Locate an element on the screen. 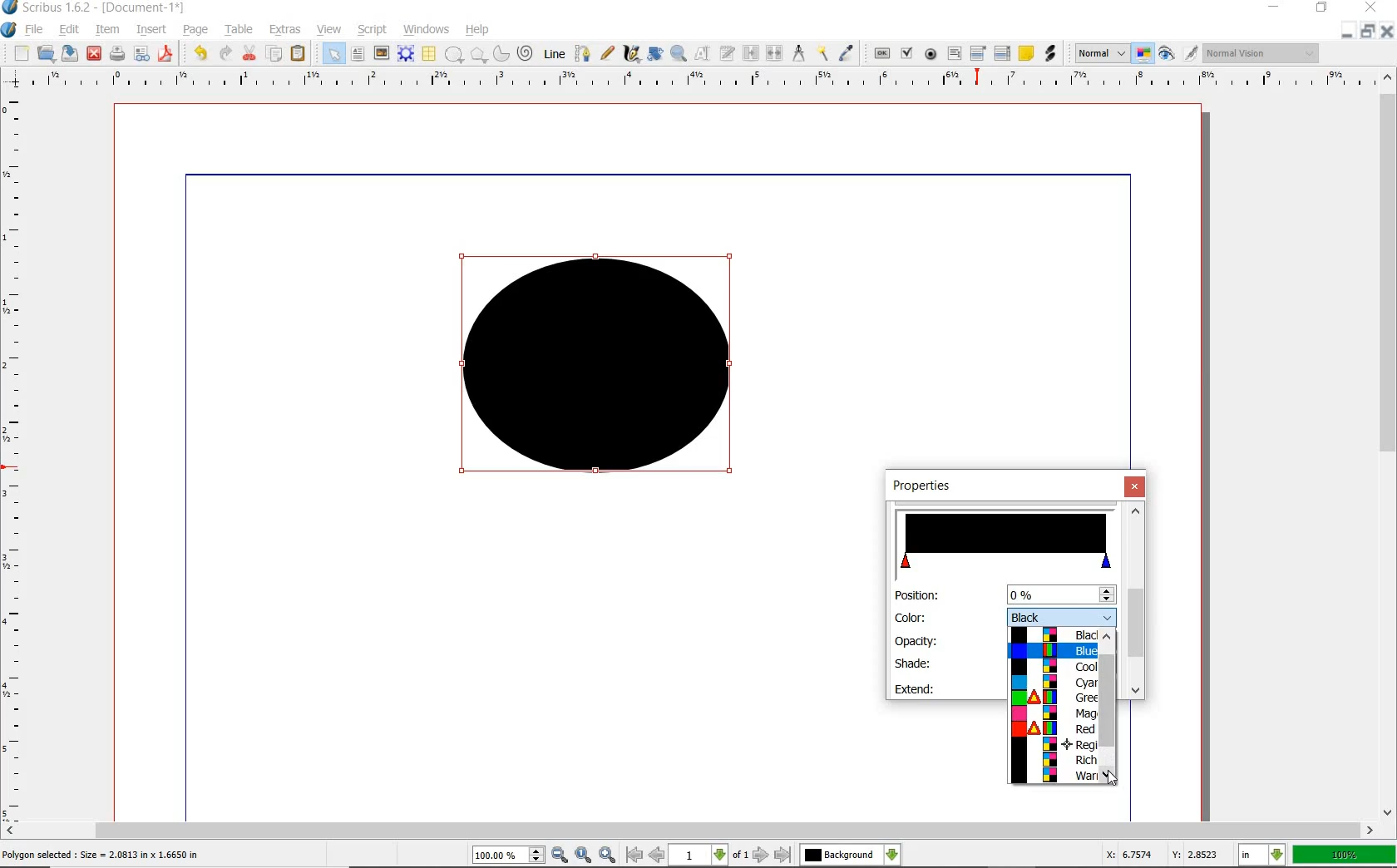 This screenshot has width=1397, height=868. close is located at coordinates (1137, 486).